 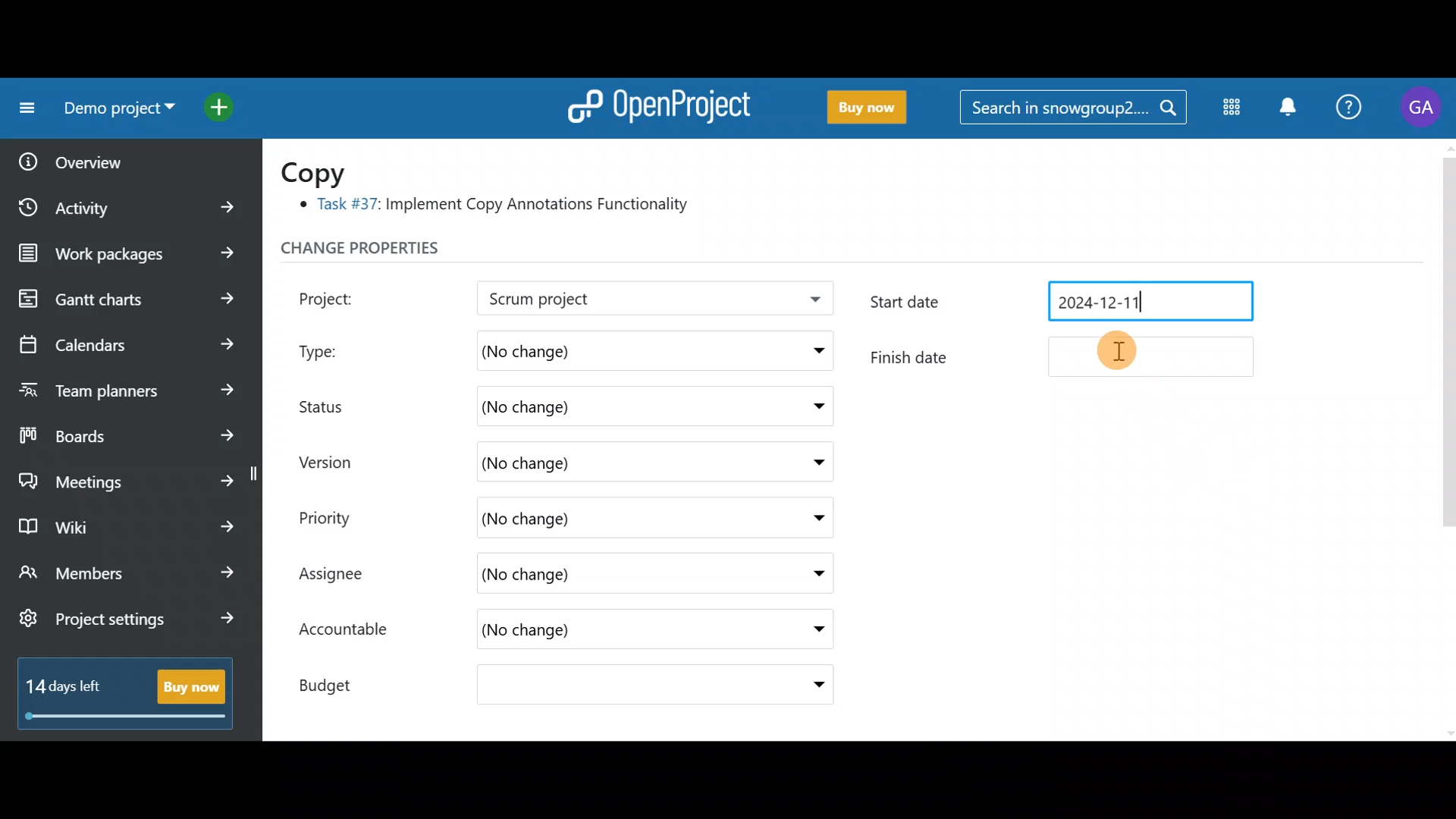 I want to click on OpenProject, so click(x=656, y=103).